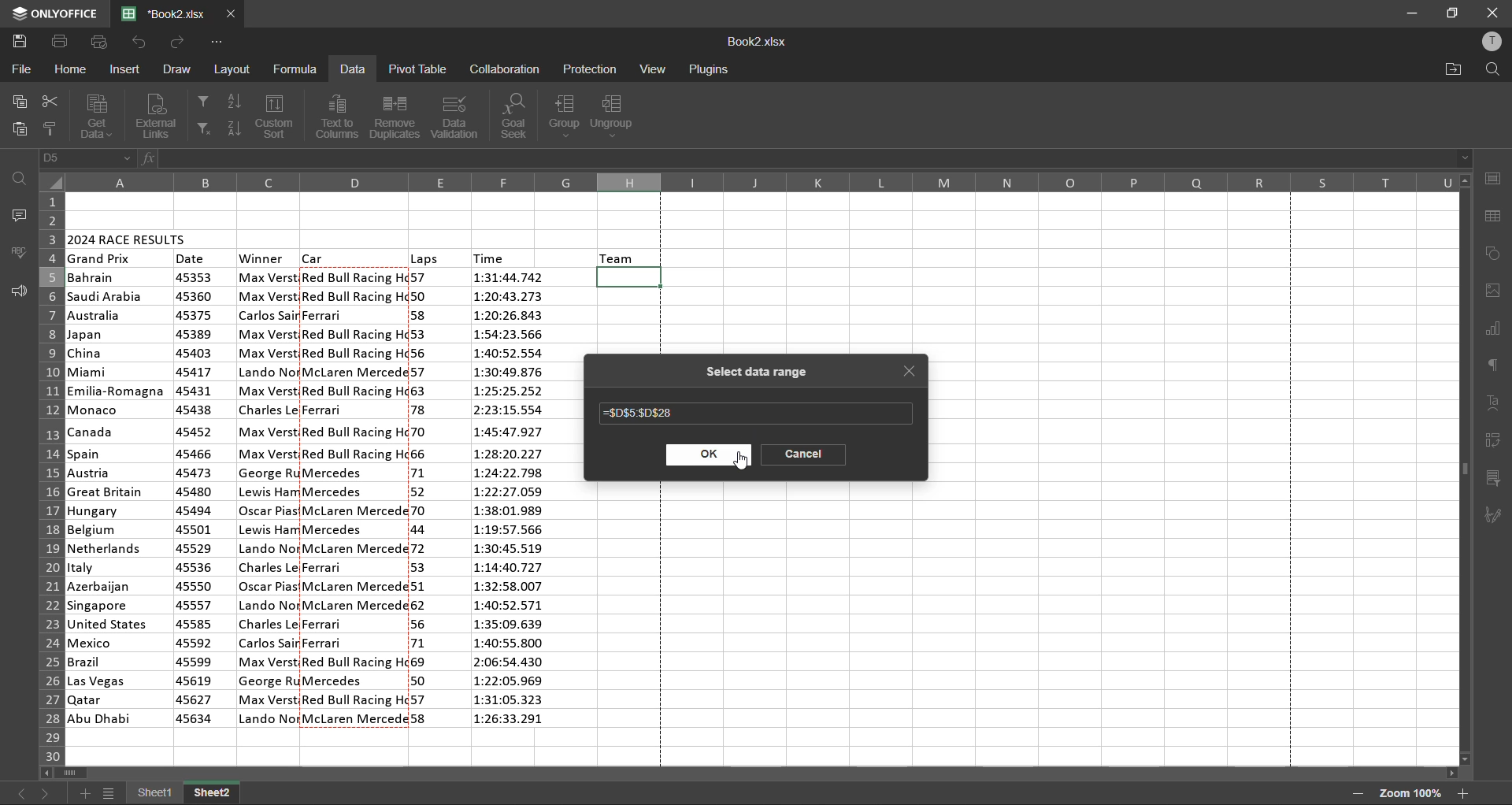  Describe the element at coordinates (1492, 178) in the screenshot. I see `cell settings` at that location.